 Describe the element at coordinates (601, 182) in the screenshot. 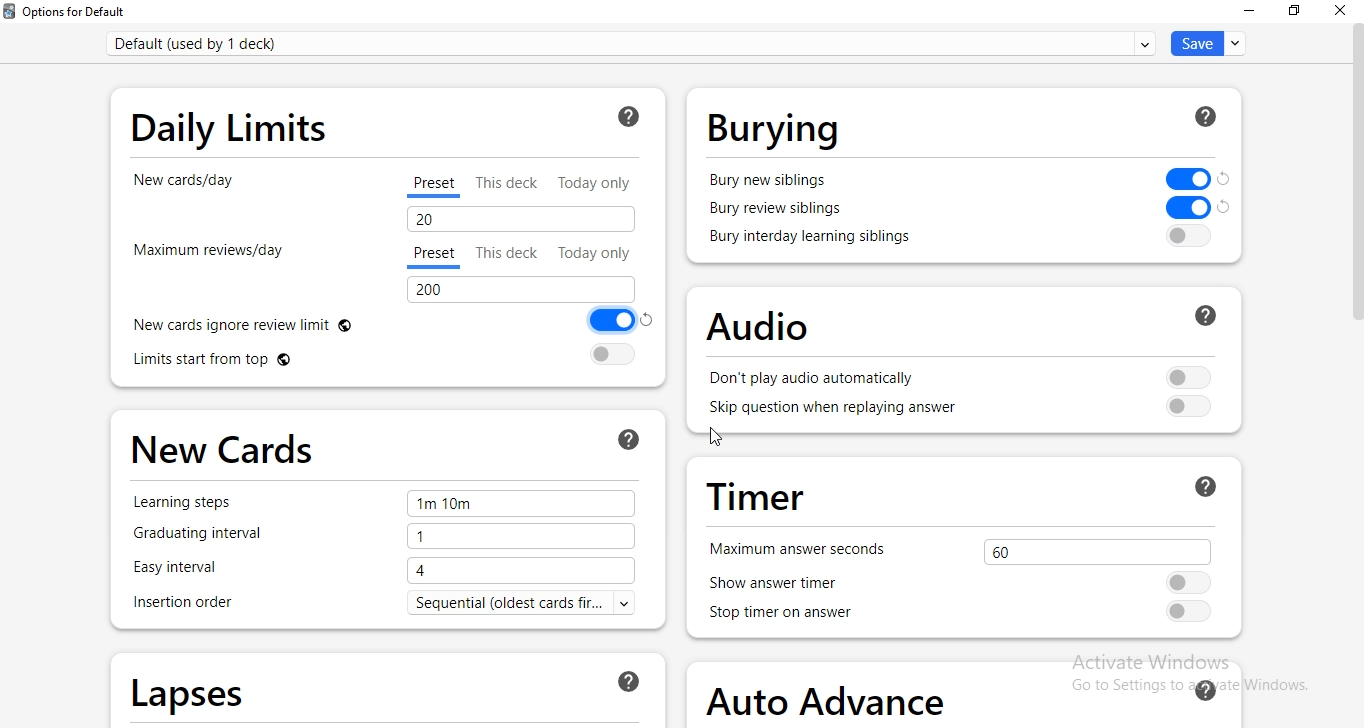

I see `today only` at that location.